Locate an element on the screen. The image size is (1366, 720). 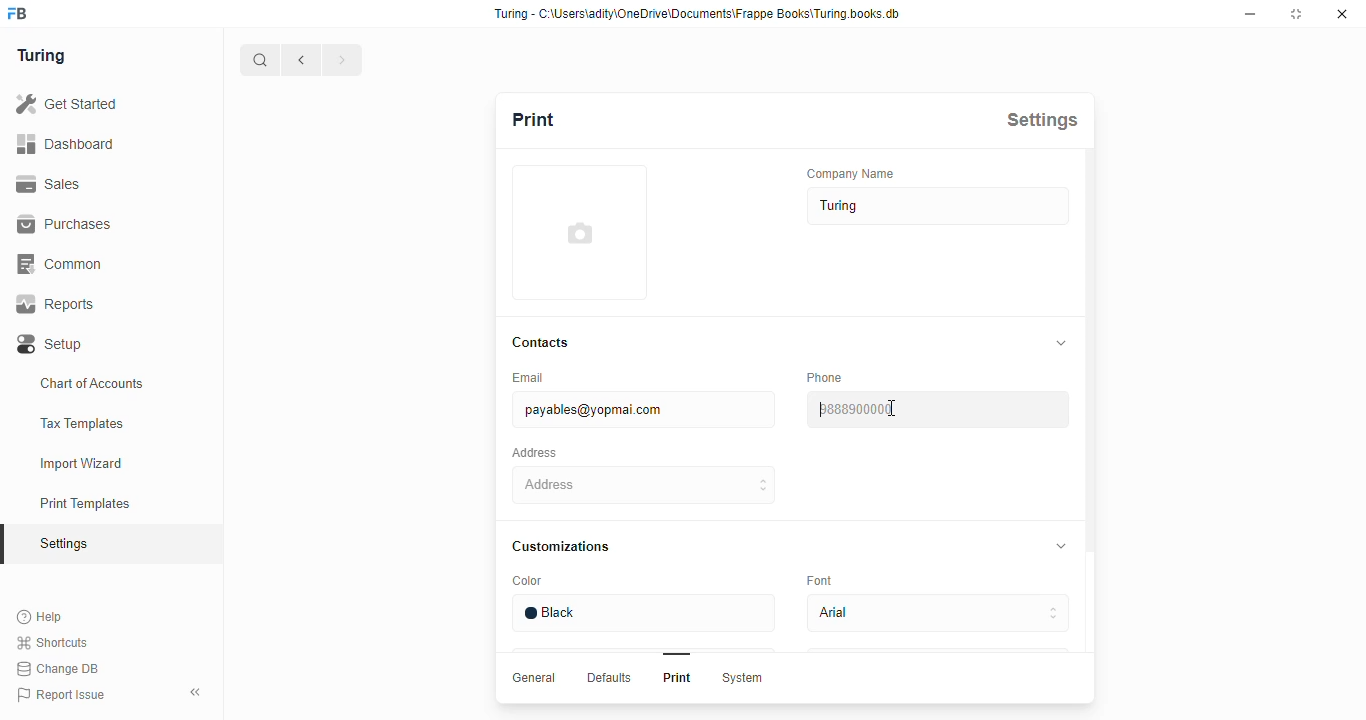
Email is located at coordinates (542, 378).